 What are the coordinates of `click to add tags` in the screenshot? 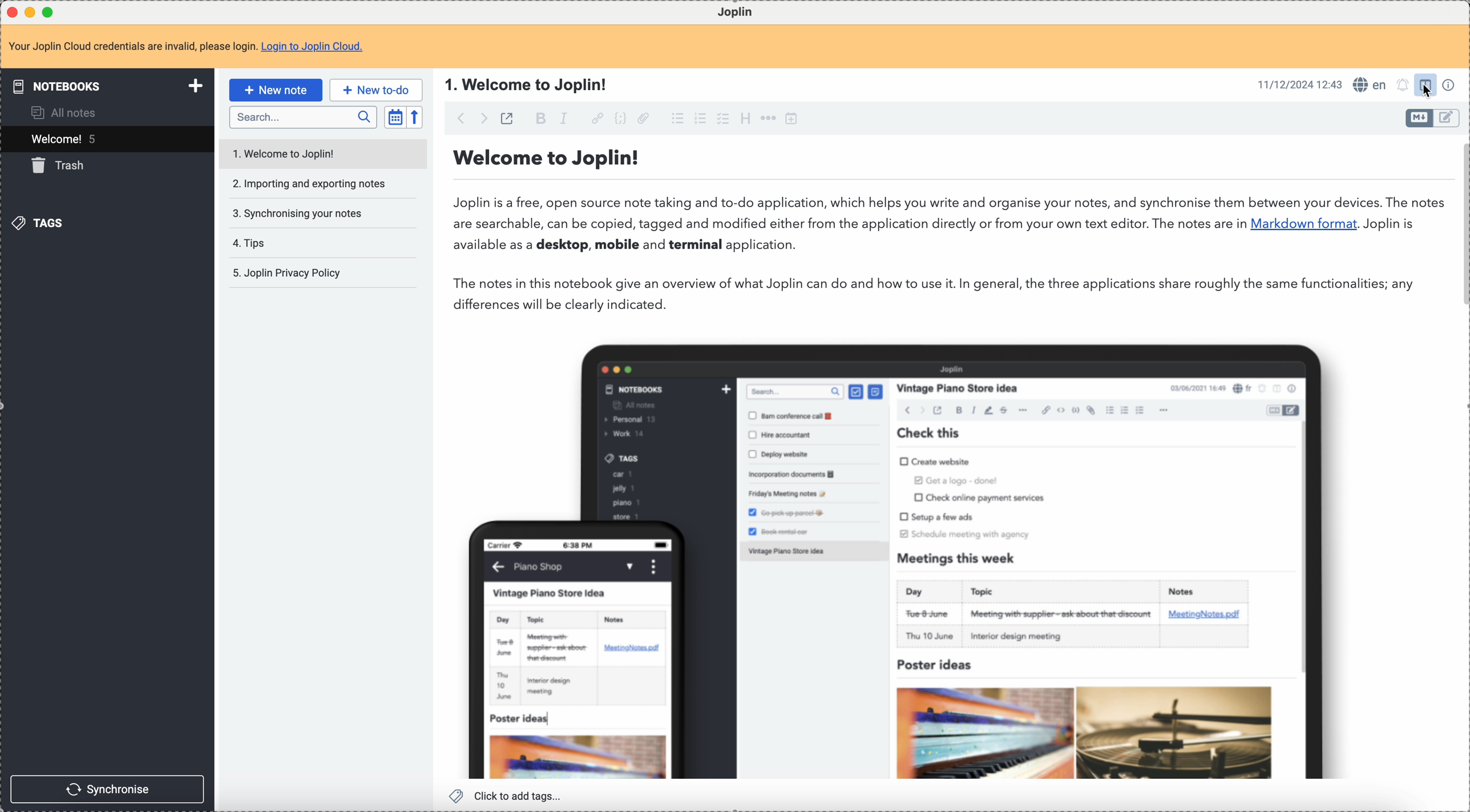 It's located at (509, 796).